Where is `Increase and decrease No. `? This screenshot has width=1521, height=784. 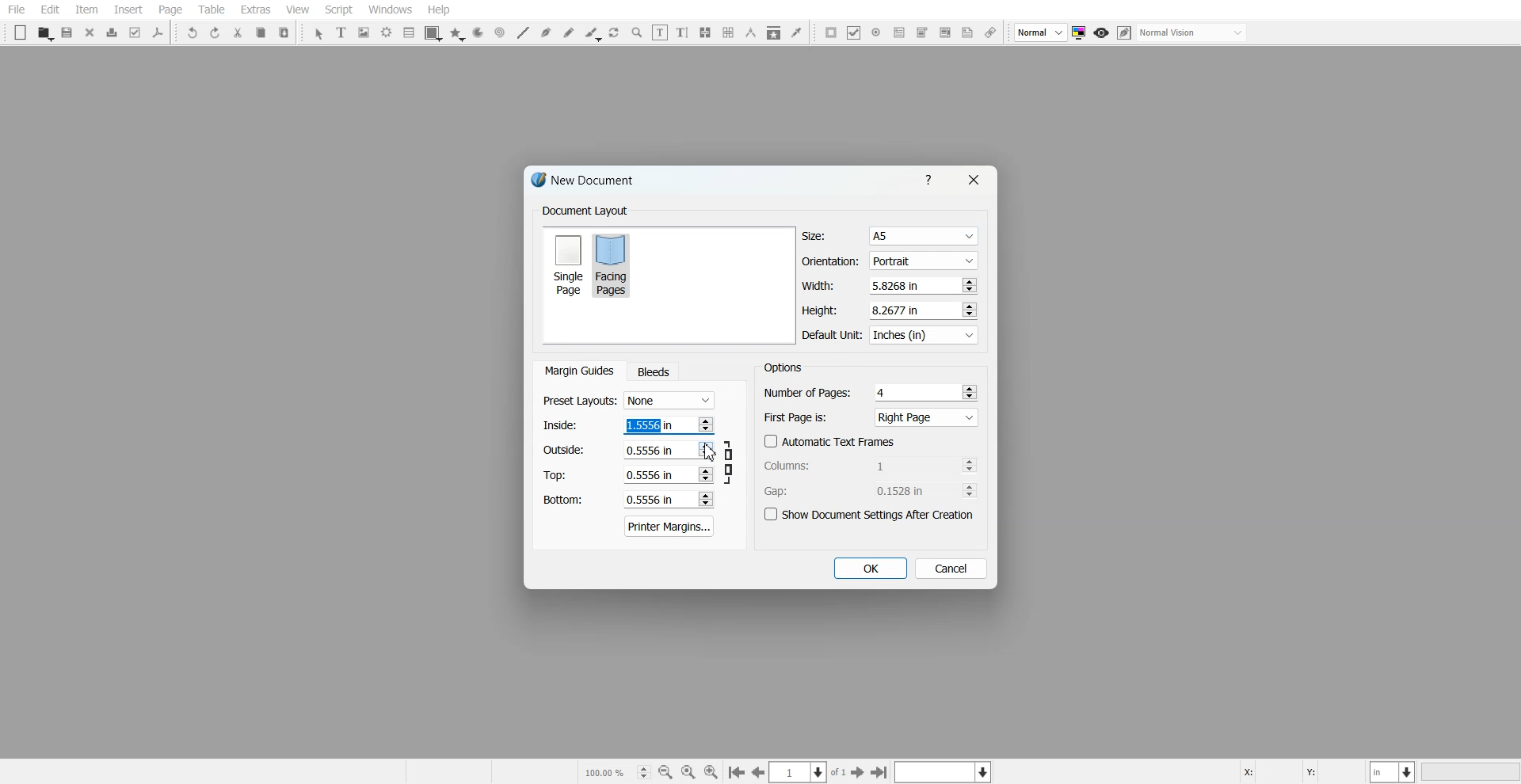
Increase and decrease No.  is located at coordinates (706, 450).